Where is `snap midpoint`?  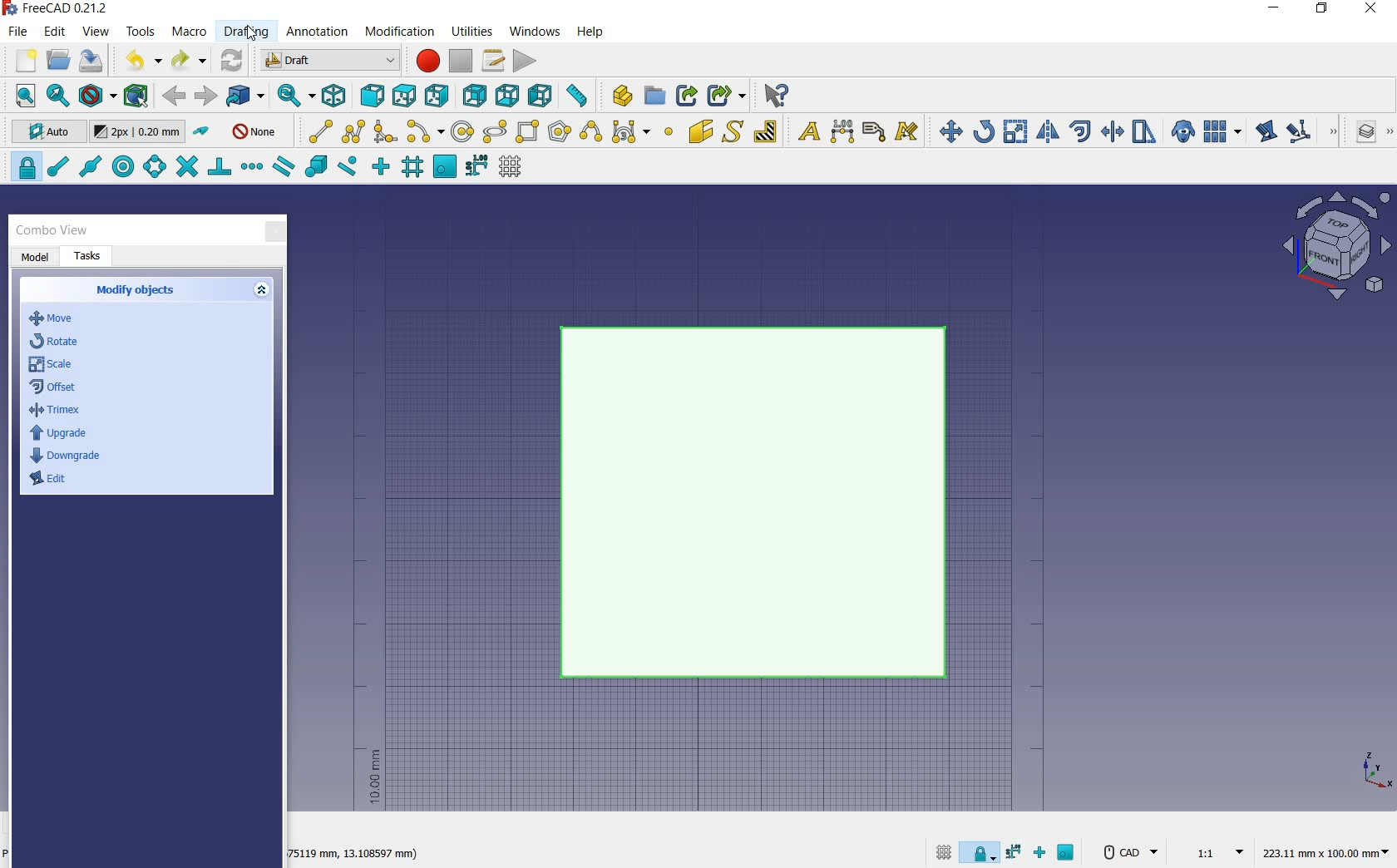 snap midpoint is located at coordinates (89, 165).